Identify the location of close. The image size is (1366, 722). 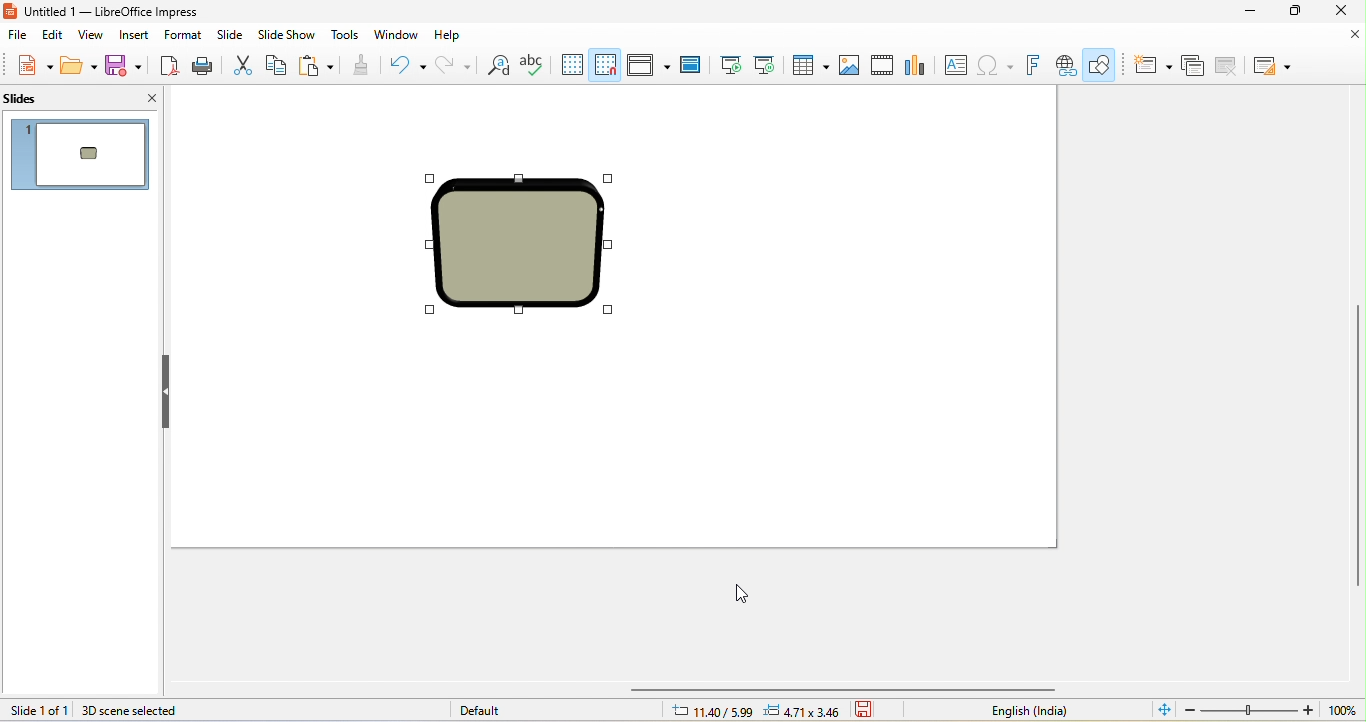
(1340, 37).